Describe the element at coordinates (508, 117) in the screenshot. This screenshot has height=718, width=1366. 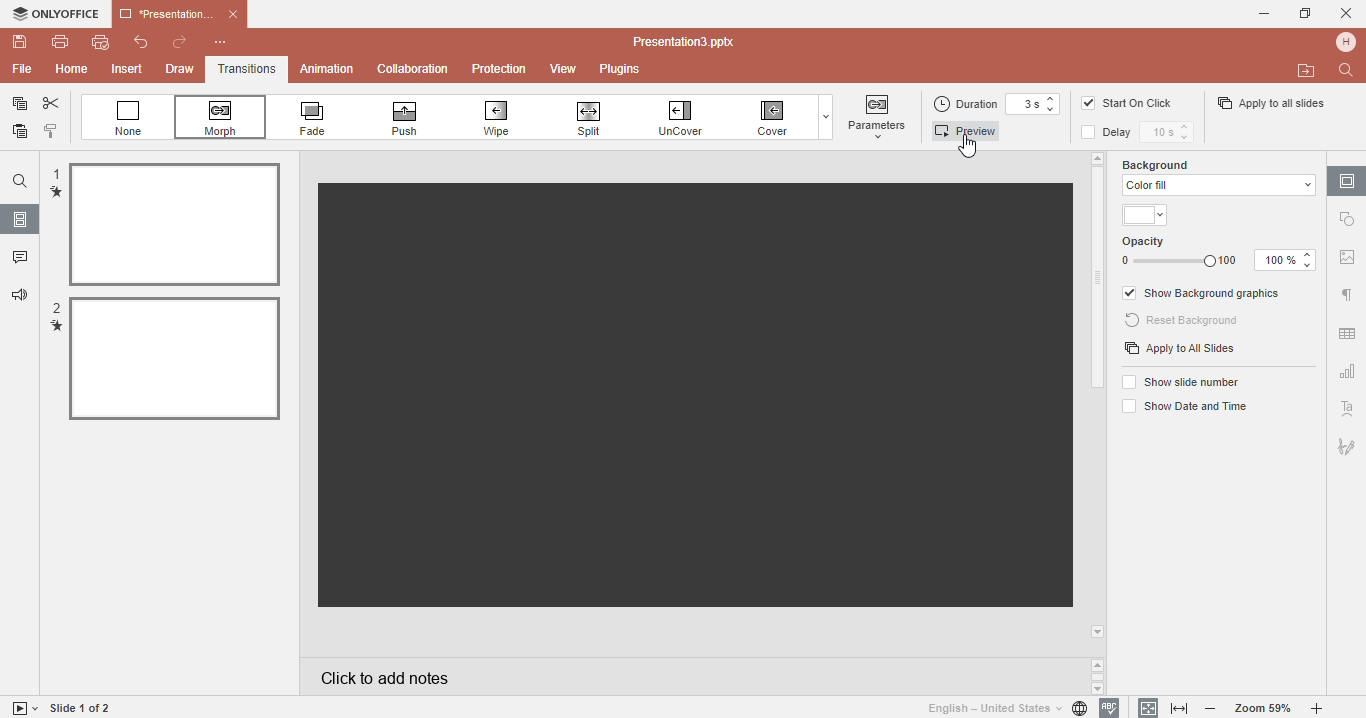
I see `Wipe` at that location.